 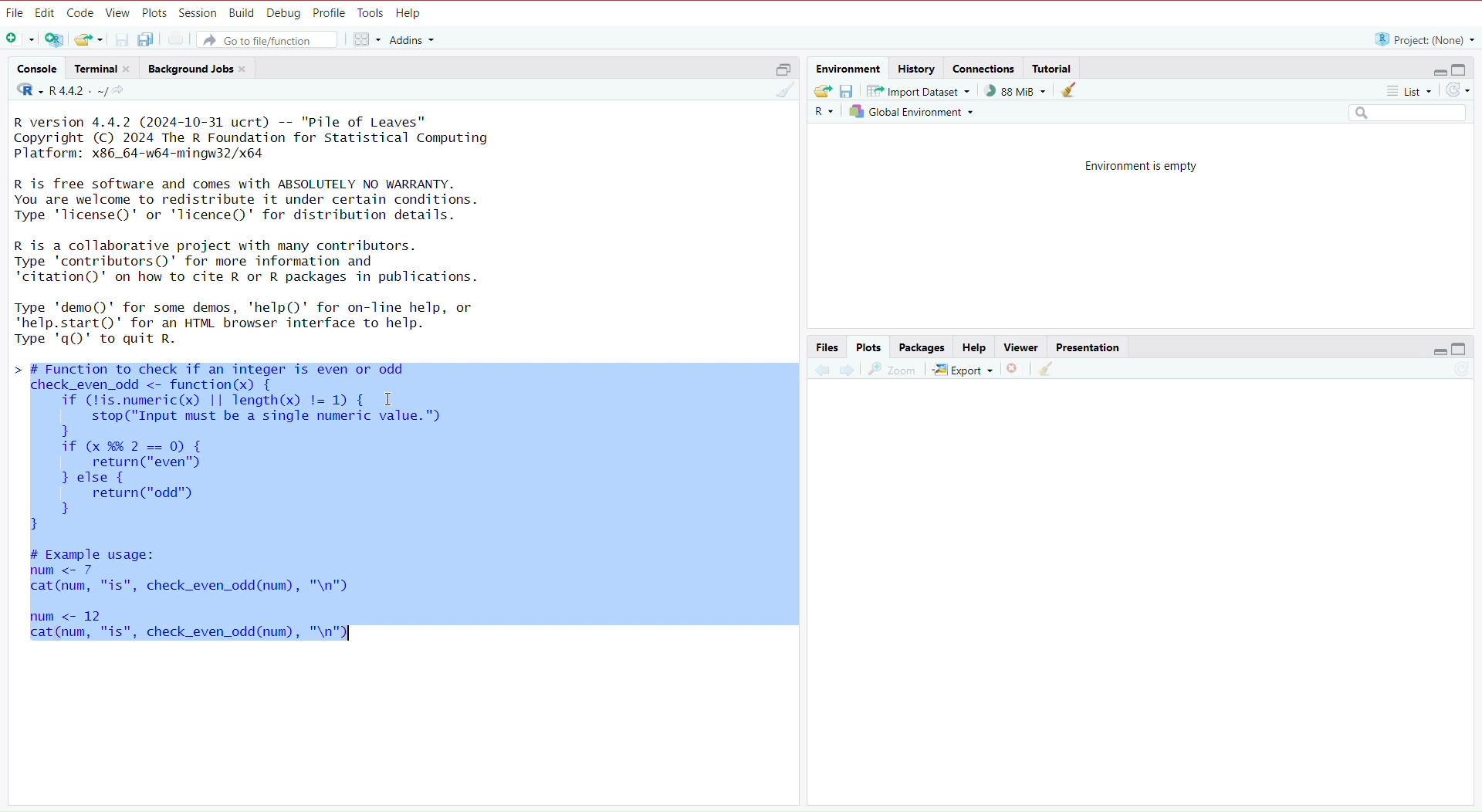 I want to click on refresh current plot, so click(x=1453, y=373).